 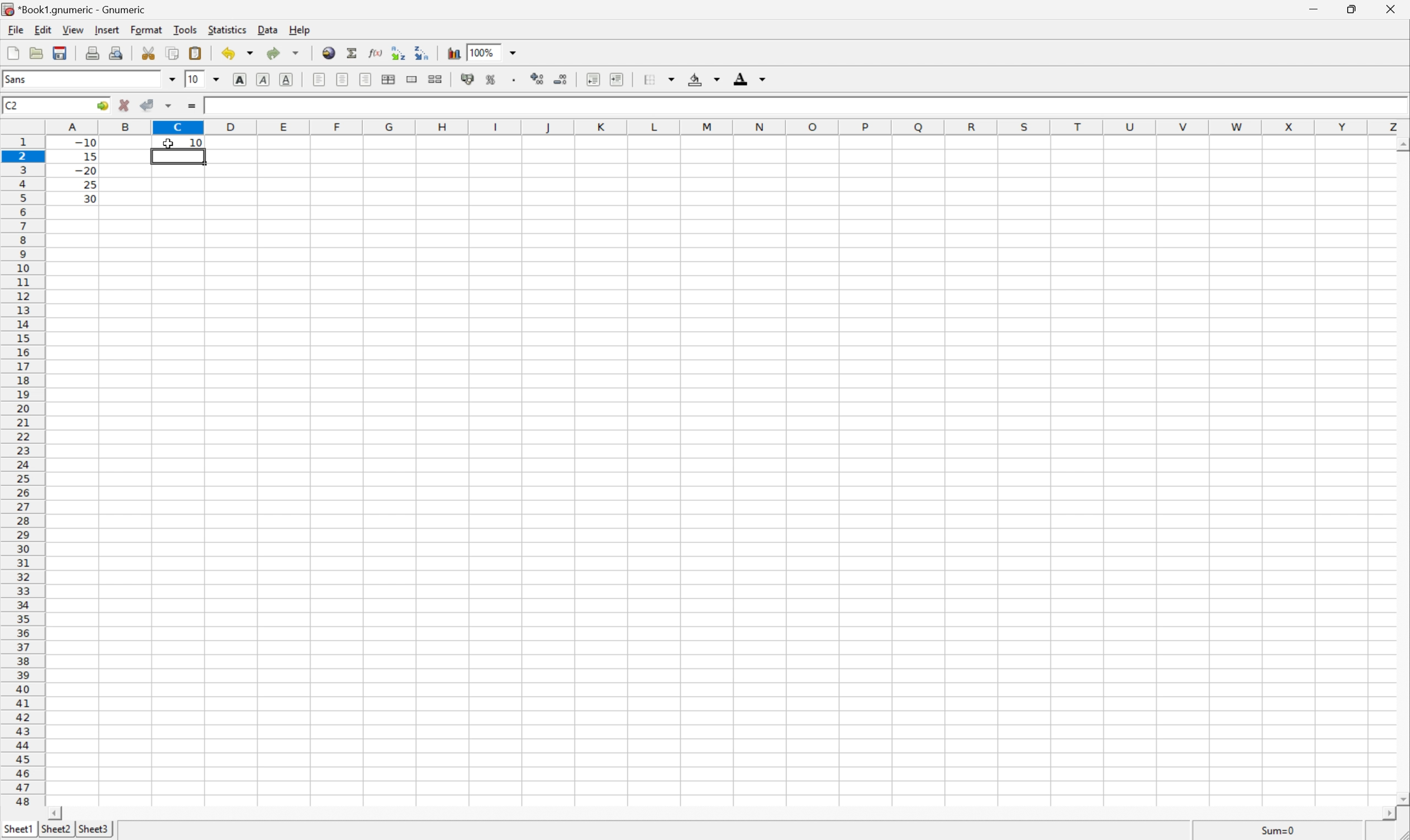 I want to click on Drop Down, so click(x=716, y=80).